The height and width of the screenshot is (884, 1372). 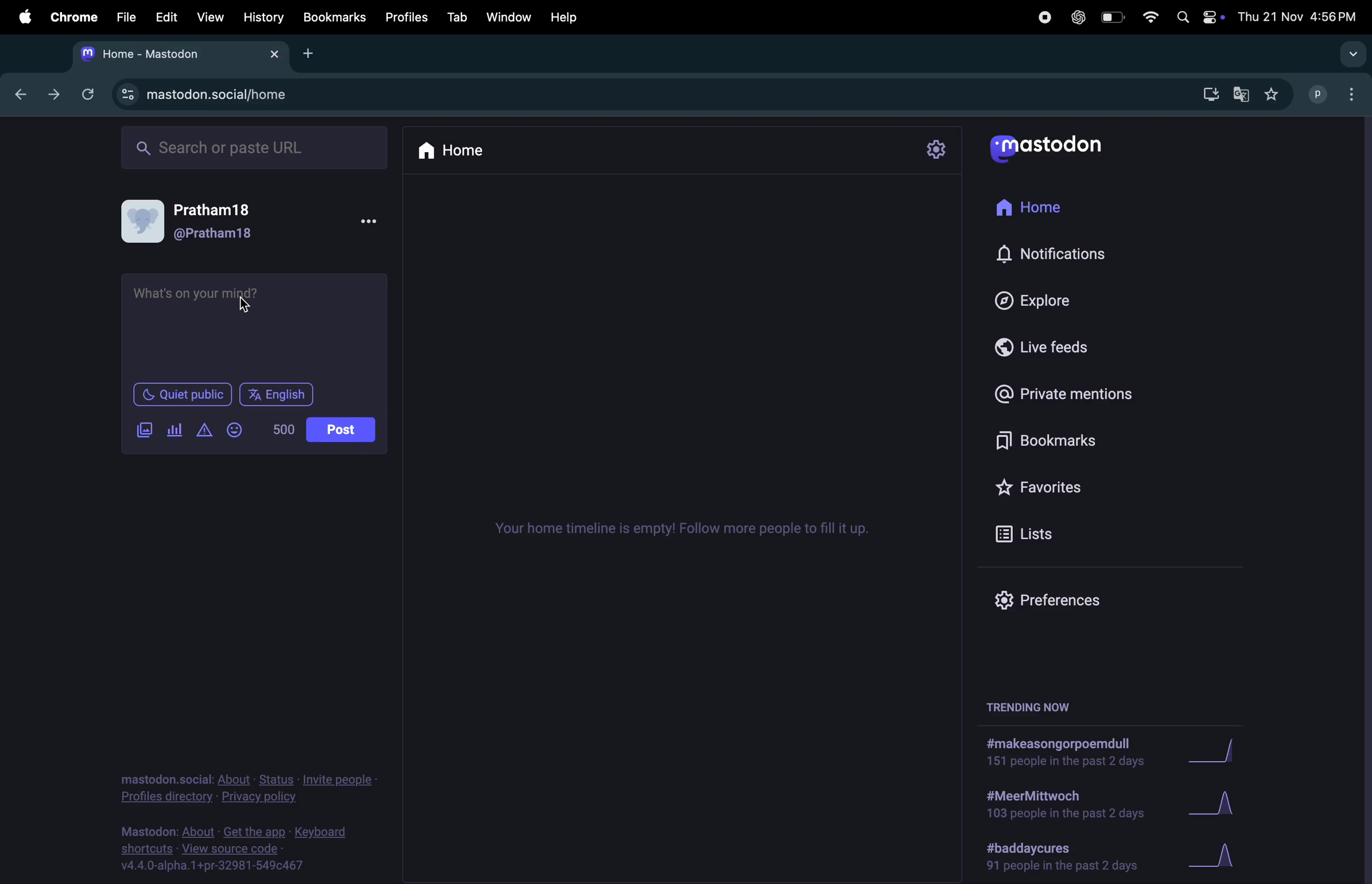 I want to click on user profile, so click(x=256, y=224).